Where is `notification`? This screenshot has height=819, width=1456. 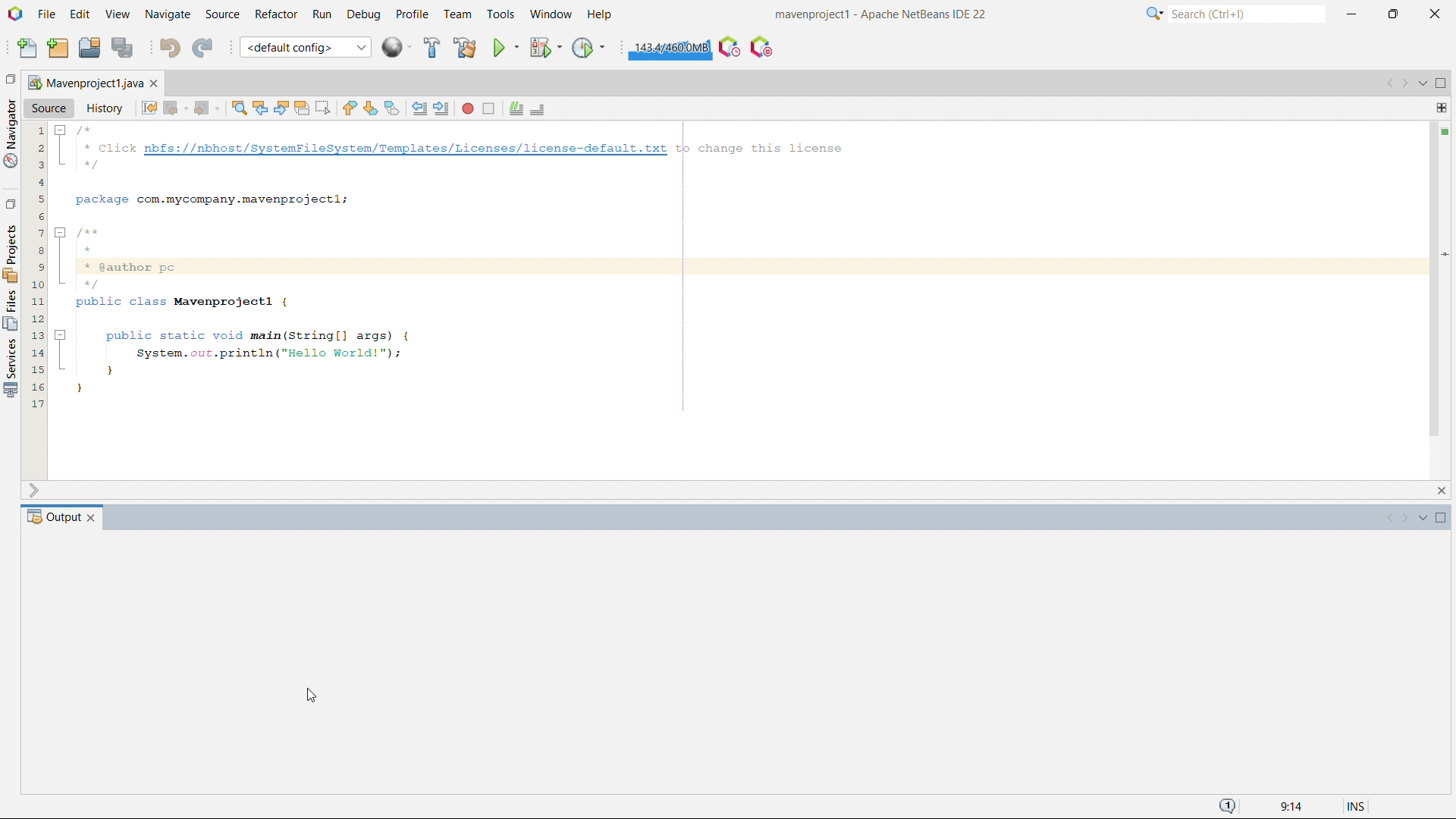
notification is located at coordinates (1228, 807).